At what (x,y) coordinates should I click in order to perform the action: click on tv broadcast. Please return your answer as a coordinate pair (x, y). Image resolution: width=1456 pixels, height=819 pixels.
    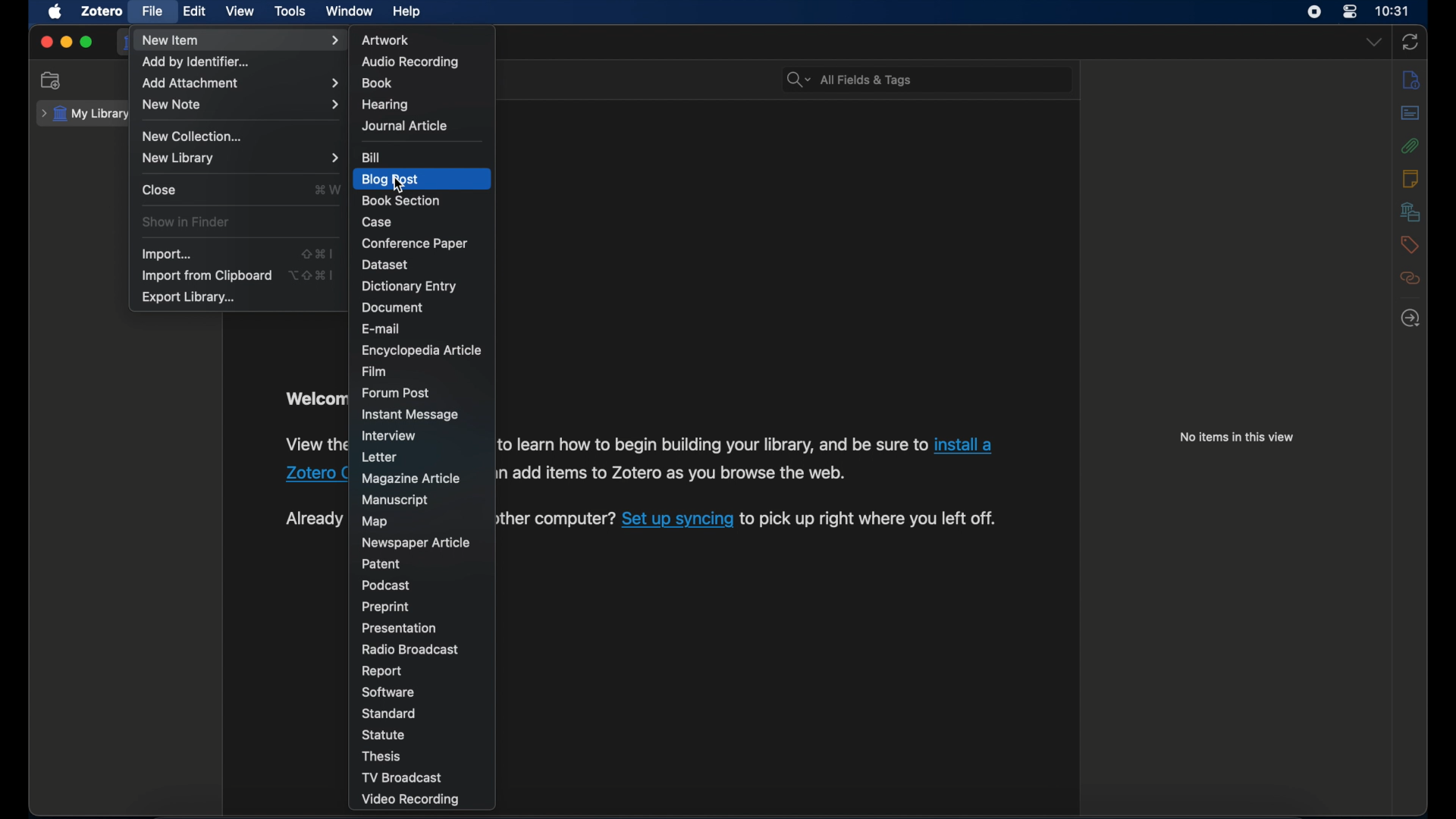
    Looking at the image, I should click on (404, 778).